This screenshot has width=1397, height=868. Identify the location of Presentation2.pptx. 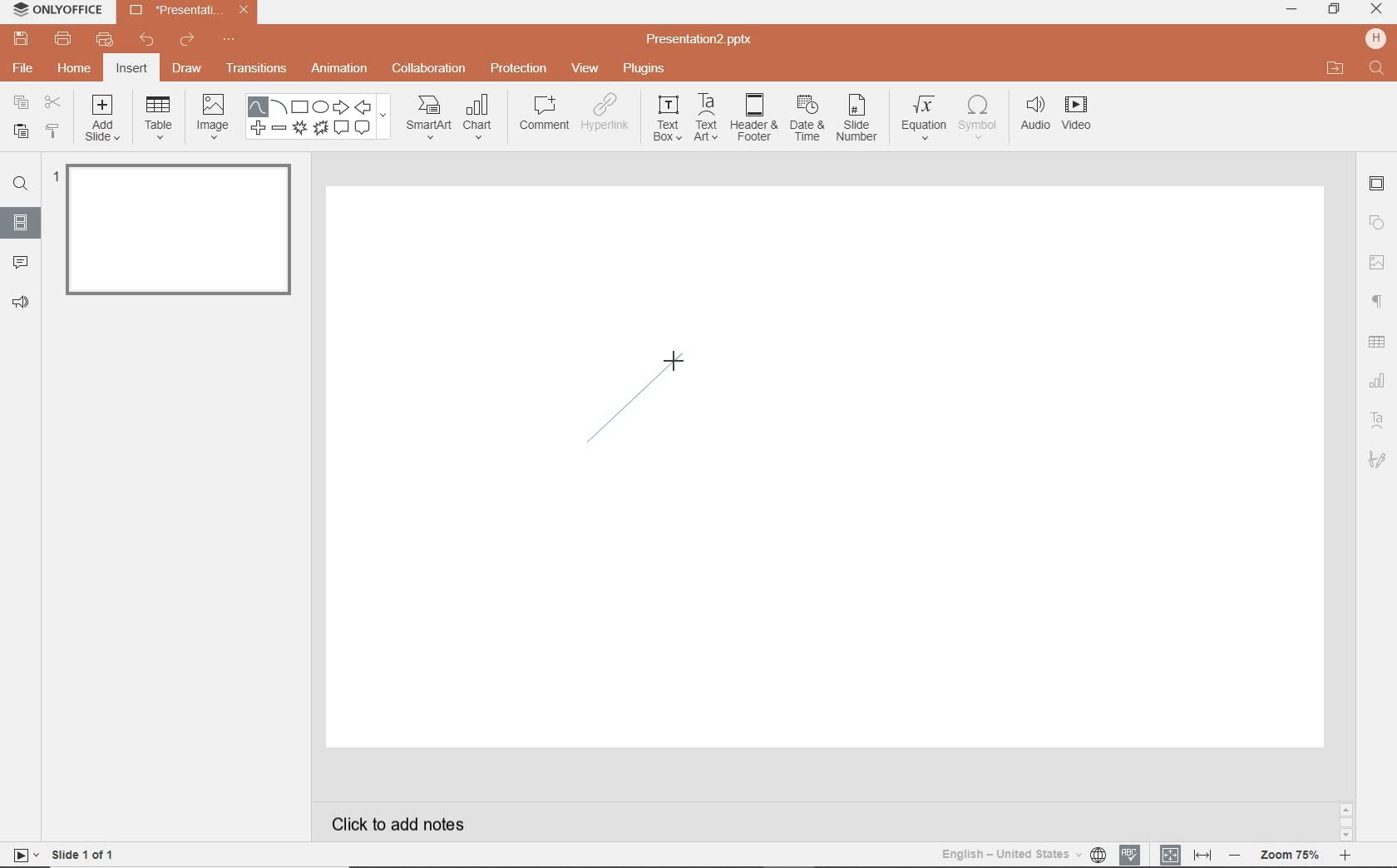
(189, 13).